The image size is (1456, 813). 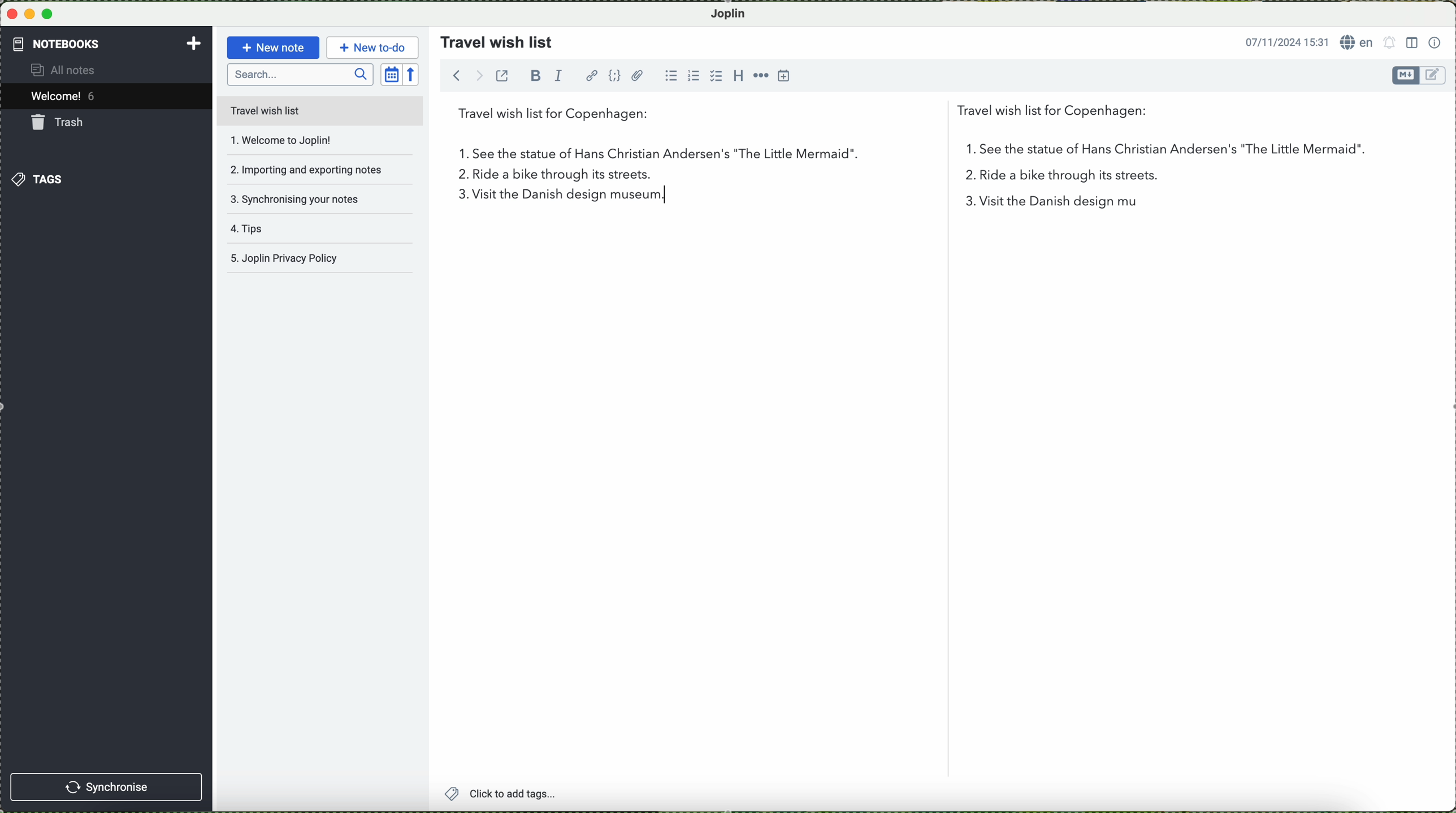 What do you see at coordinates (50, 14) in the screenshot?
I see `maximize` at bounding box center [50, 14].